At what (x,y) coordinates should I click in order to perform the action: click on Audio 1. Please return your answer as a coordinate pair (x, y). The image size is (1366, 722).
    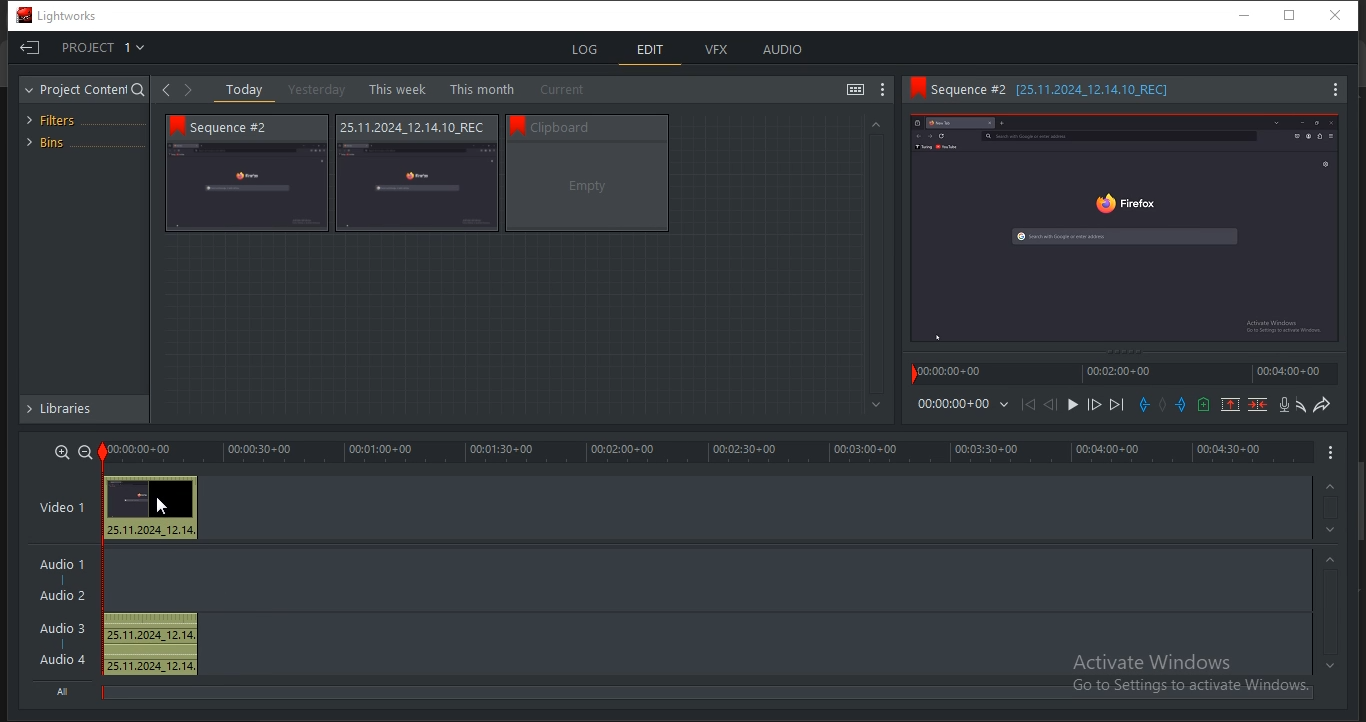
    Looking at the image, I should click on (66, 568).